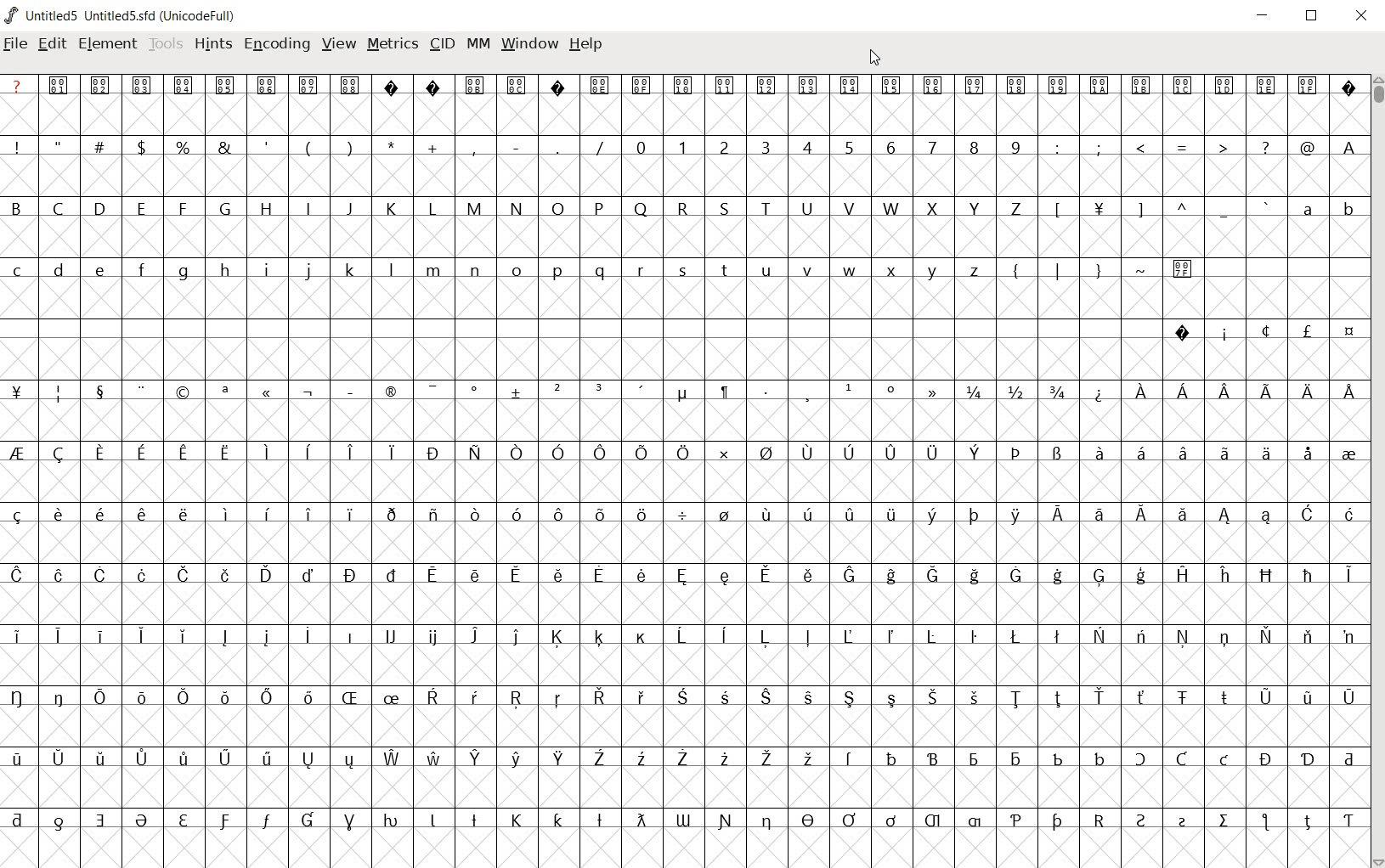 This screenshot has width=1385, height=868. What do you see at coordinates (517, 820) in the screenshot?
I see `Symbol` at bounding box center [517, 820].